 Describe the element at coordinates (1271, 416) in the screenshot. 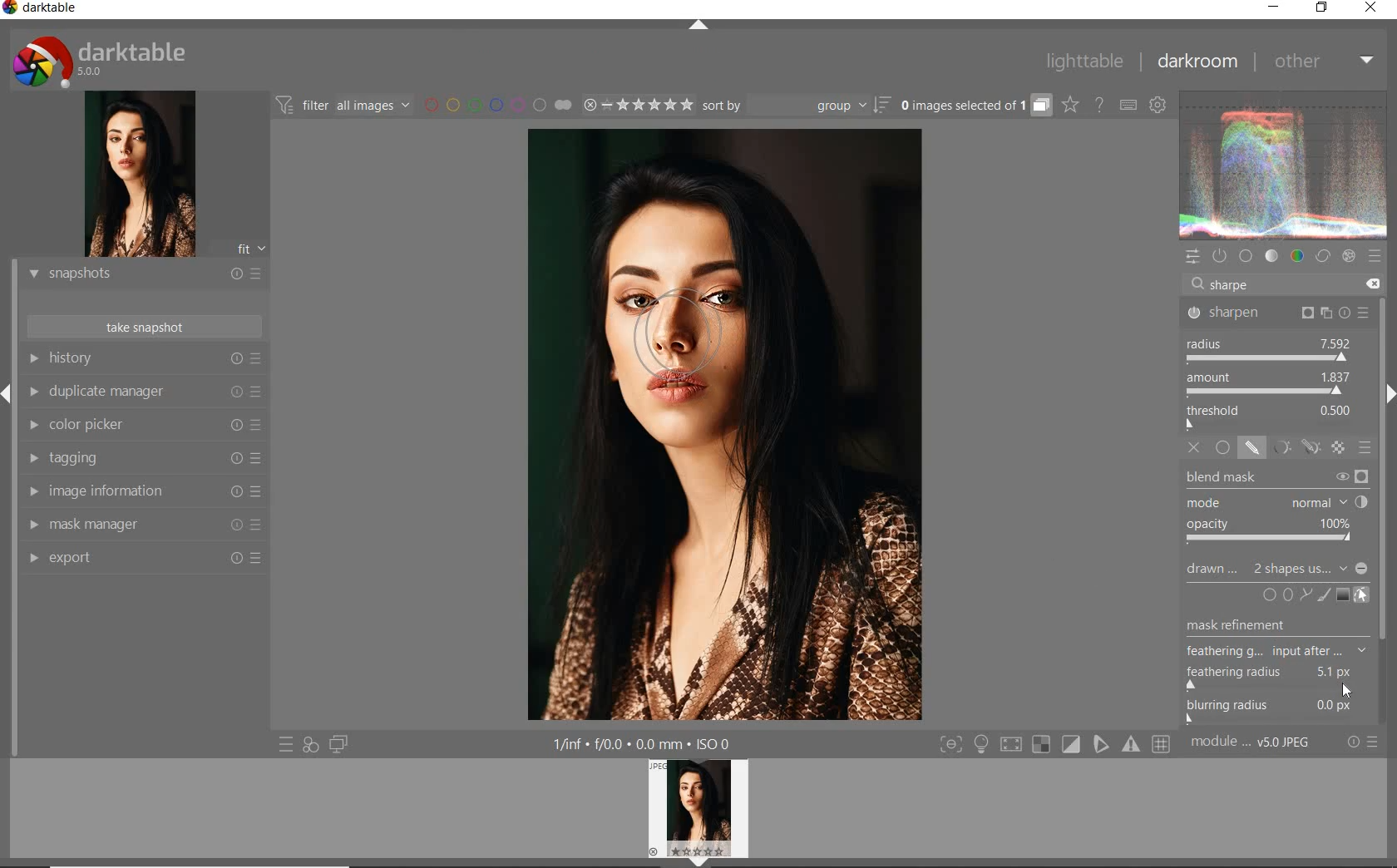

I see `THRESHOLD` at that location.